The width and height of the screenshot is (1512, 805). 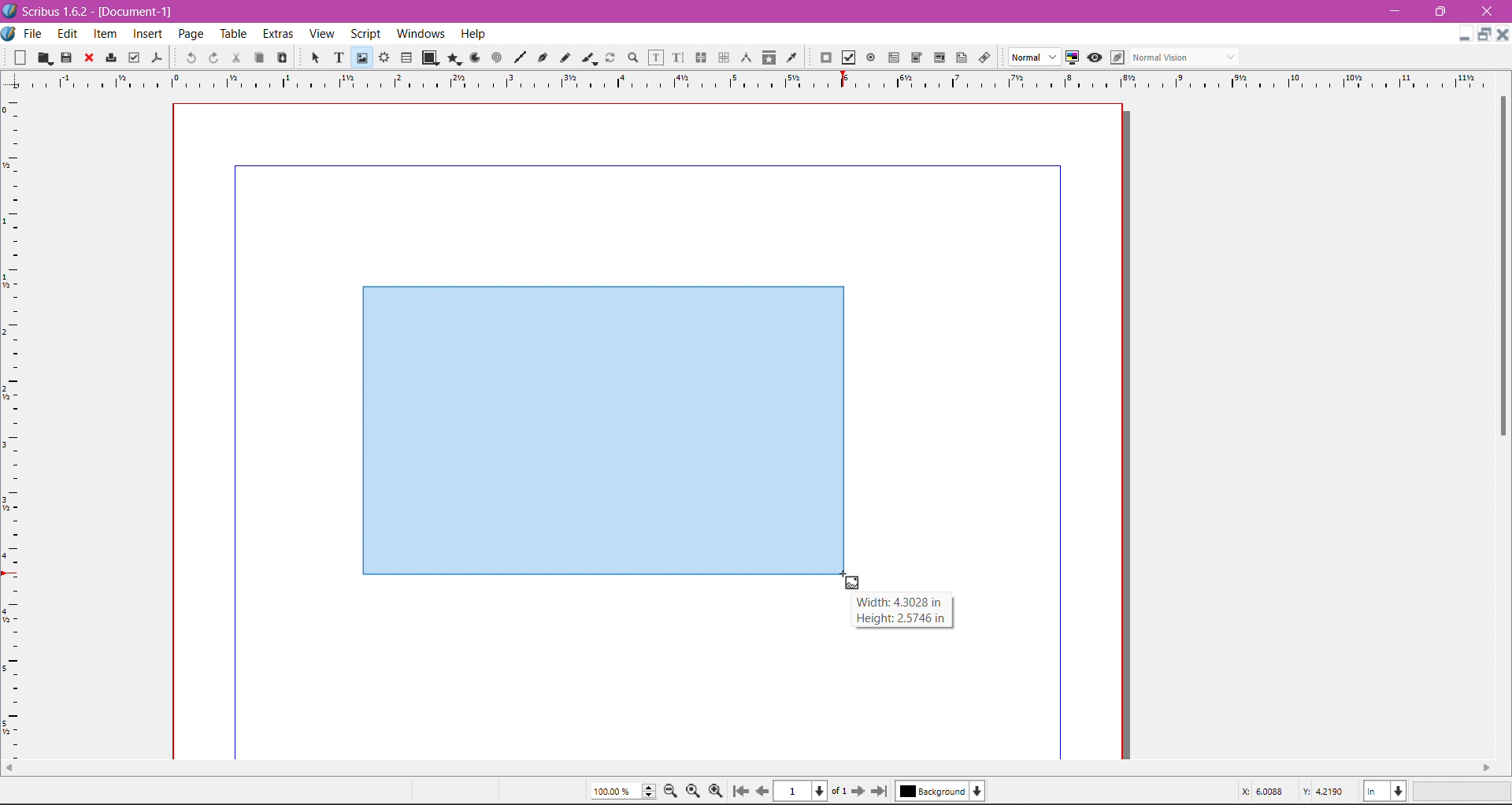 What do you see at coordinates (880, 791) in the screenshot?
I see `Go to last page` at bounding box center [880, 791].